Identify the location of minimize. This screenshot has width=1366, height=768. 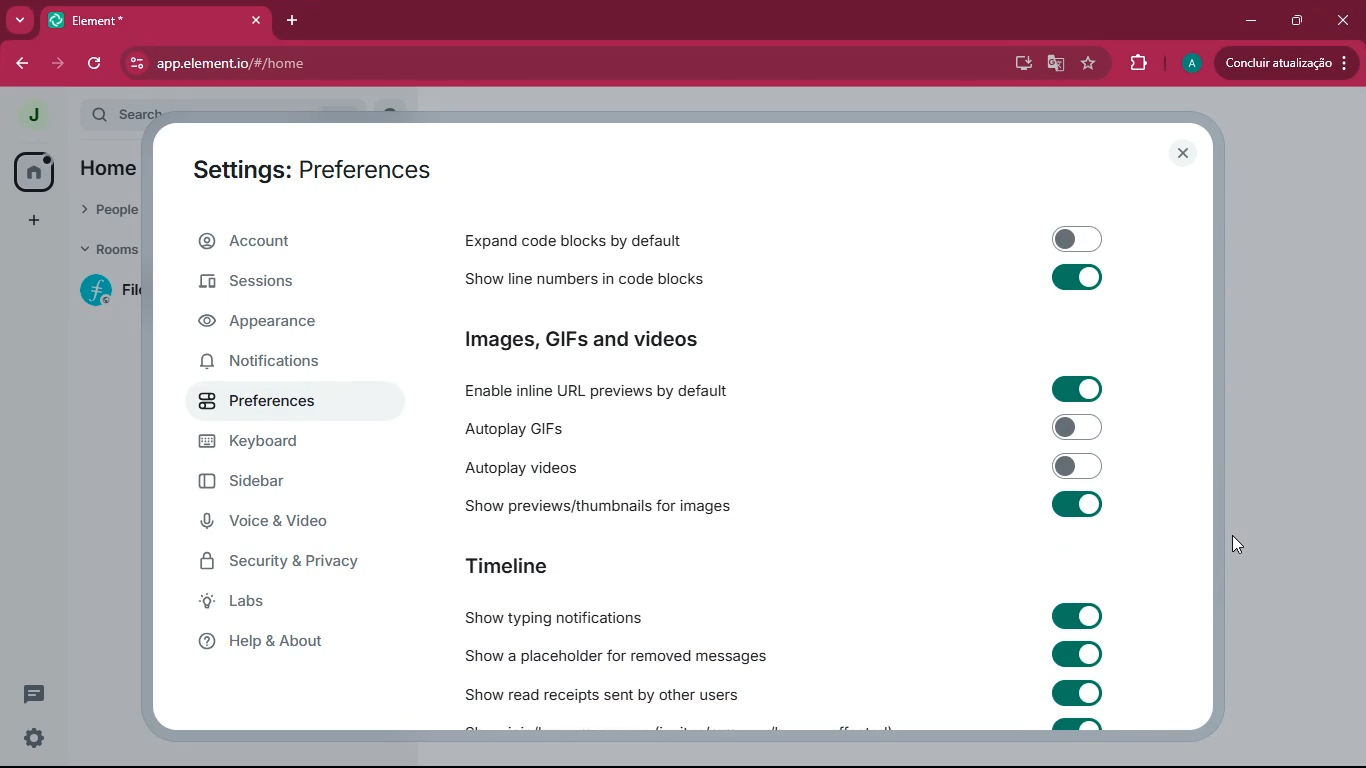
(1250, 22).